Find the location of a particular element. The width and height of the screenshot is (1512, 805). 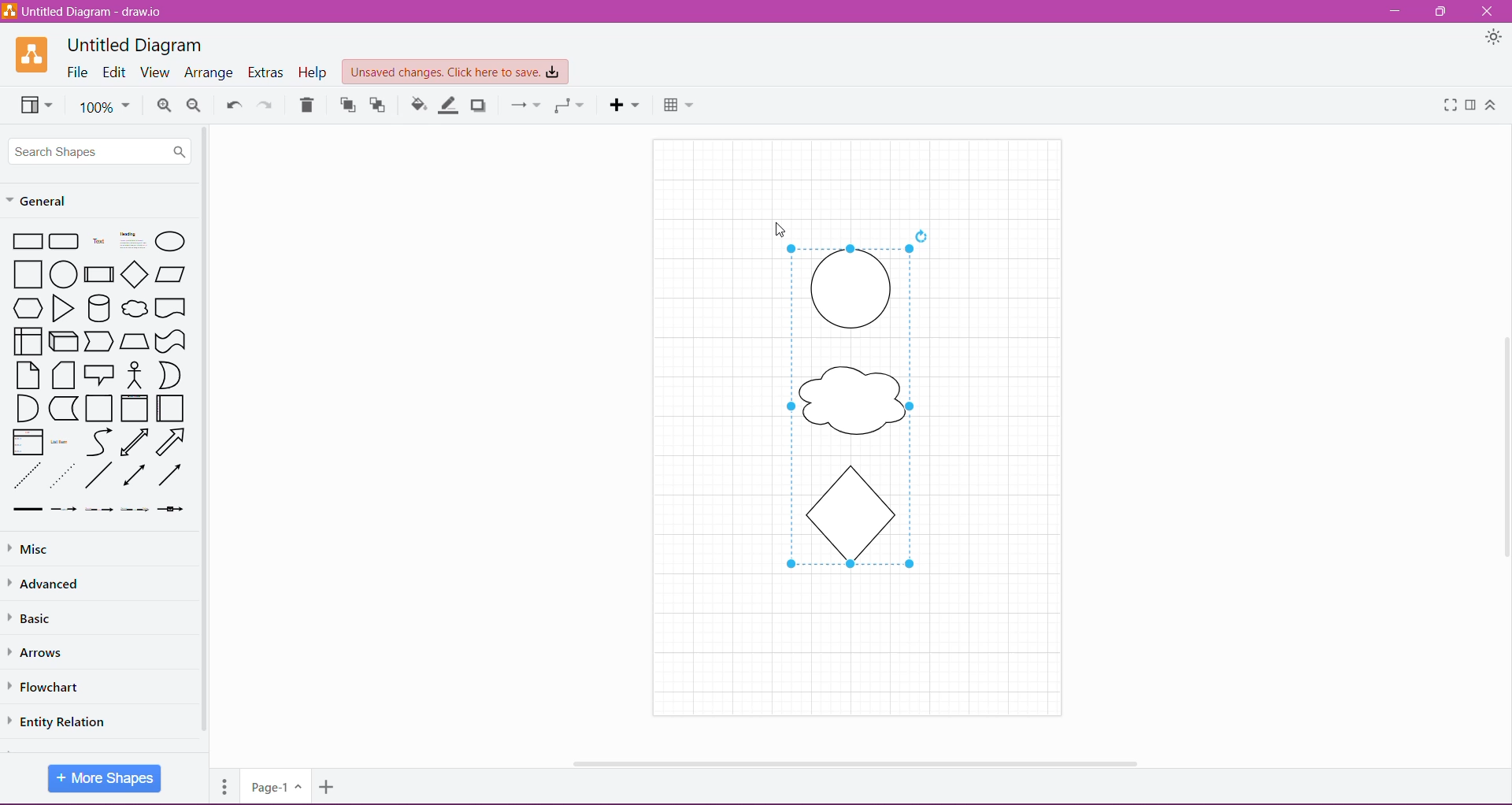

Zoom is located at coordinates (104, 106).